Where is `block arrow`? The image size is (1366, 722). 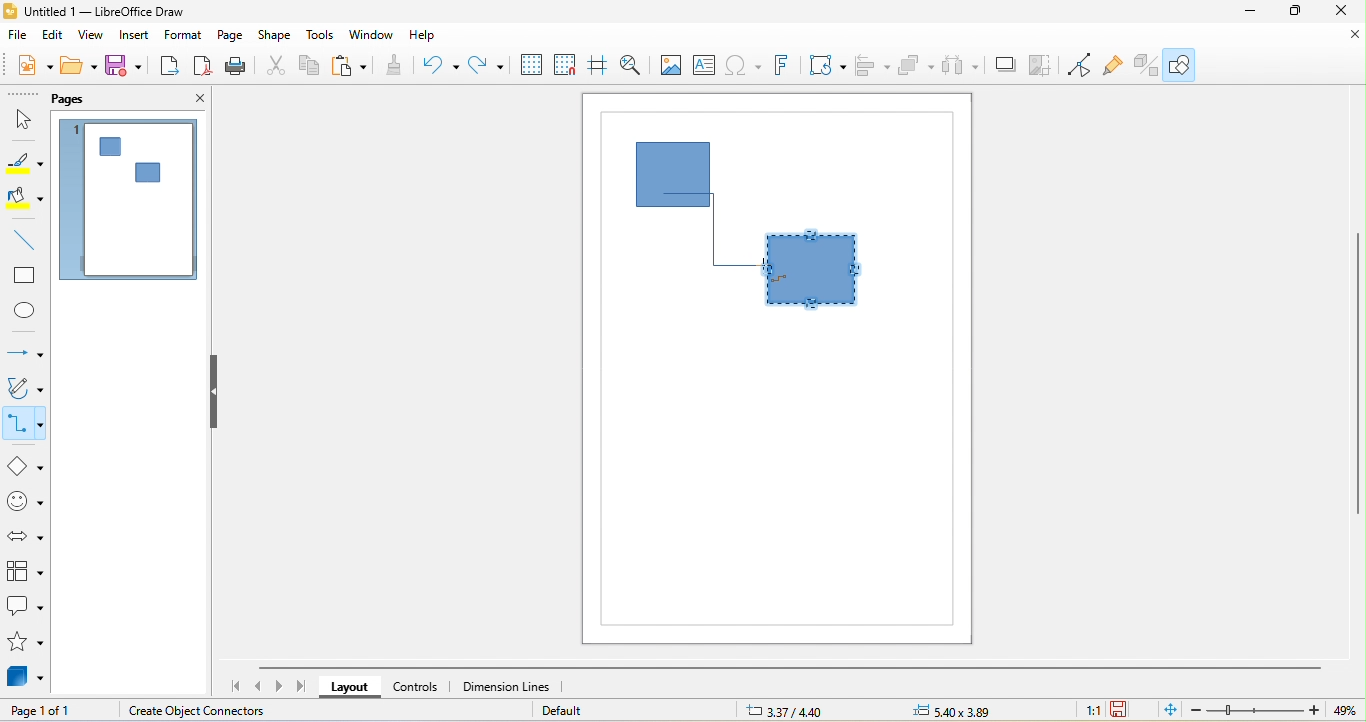 block arrow is located at coordinates (27, 537).